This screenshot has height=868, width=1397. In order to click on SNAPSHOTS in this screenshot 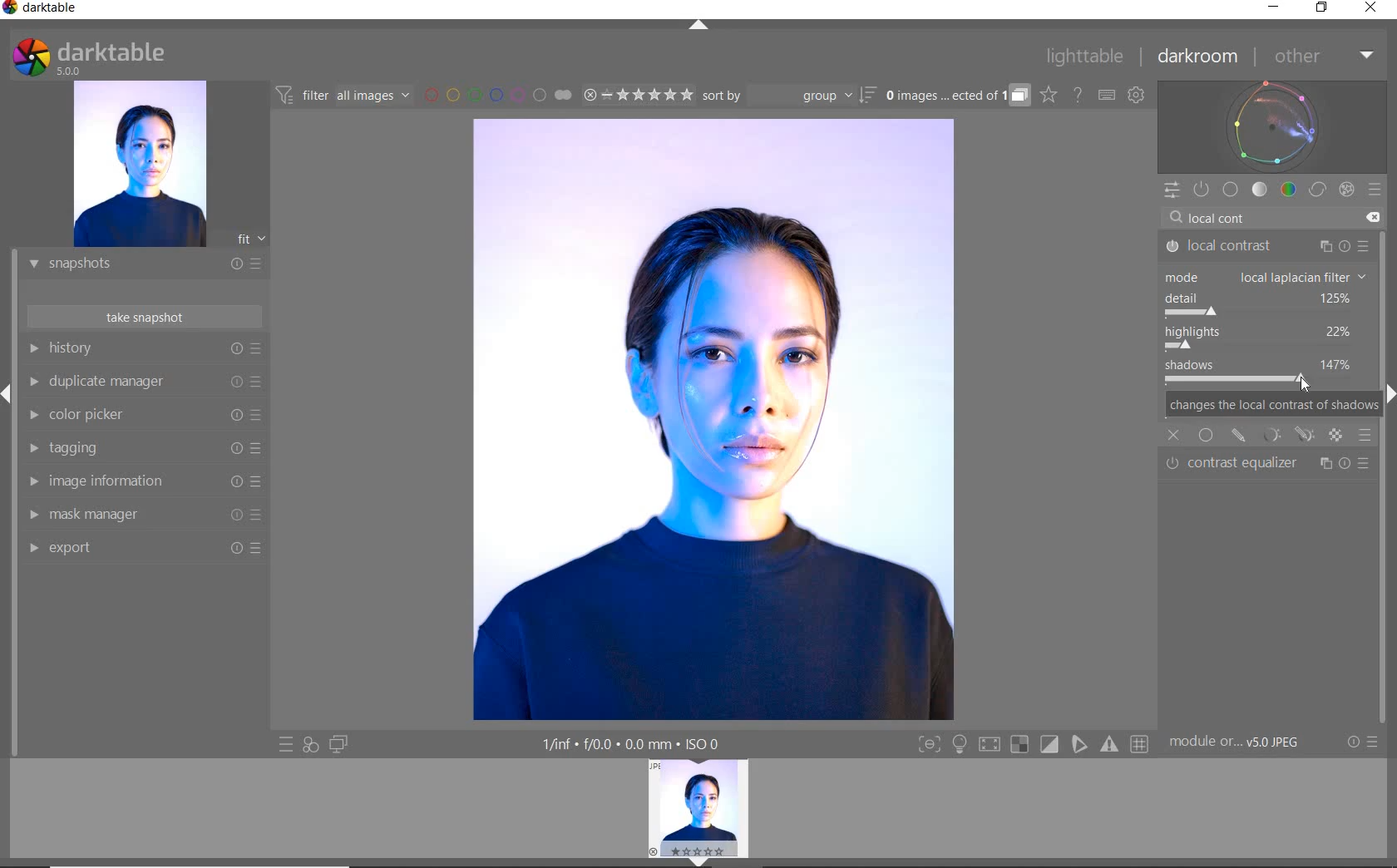, I will do `click(138, 265)`.